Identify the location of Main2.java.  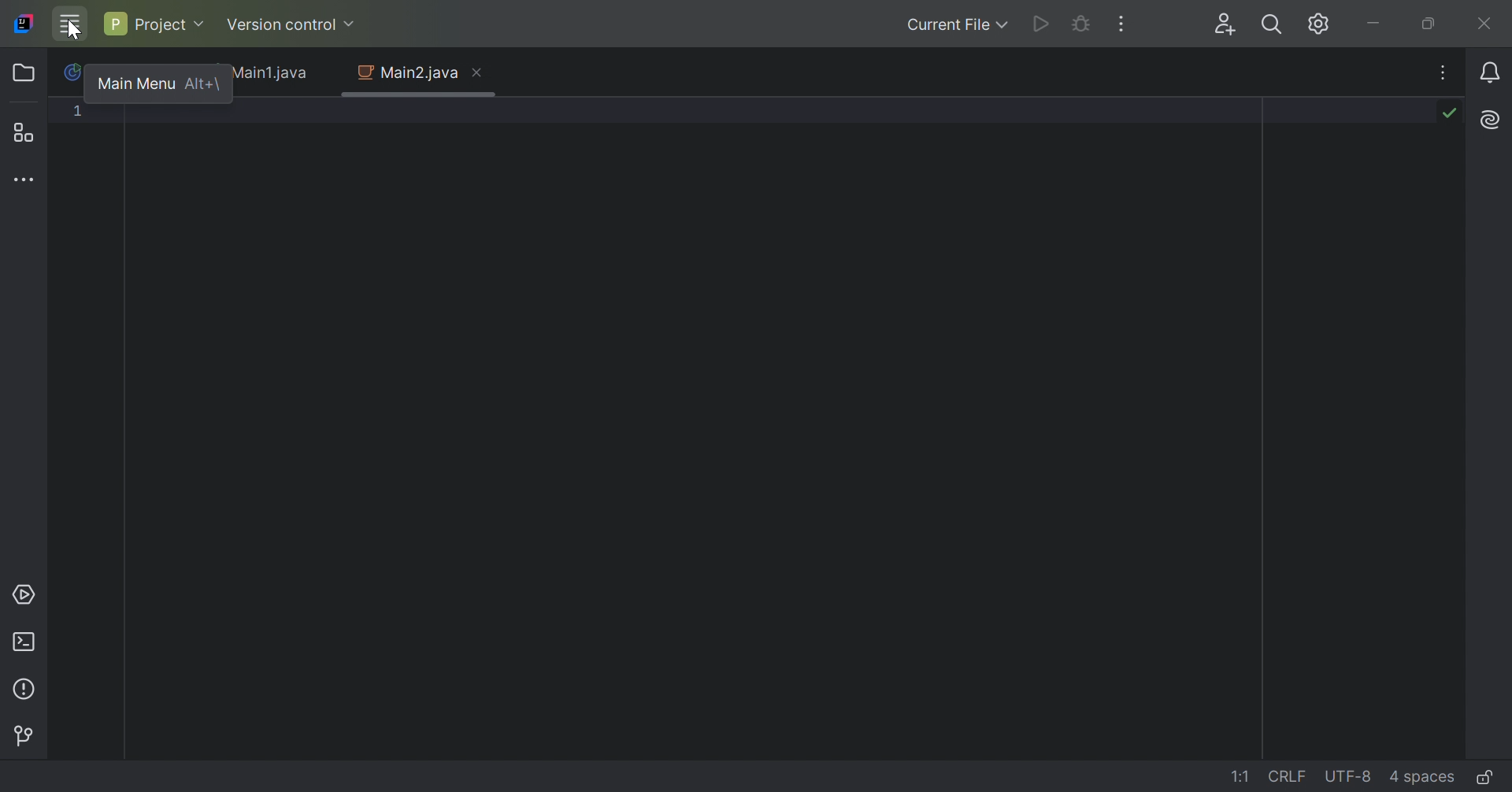
(406, 73).